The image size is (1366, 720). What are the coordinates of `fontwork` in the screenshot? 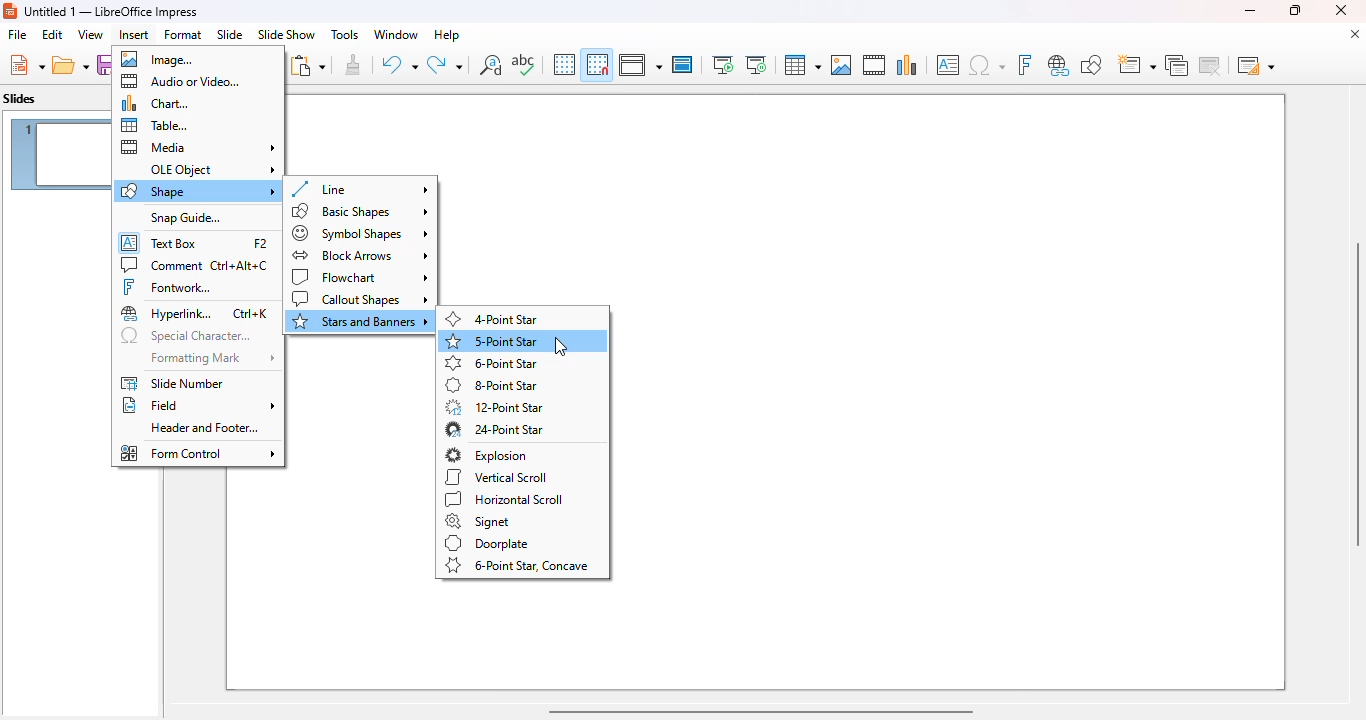 It's located at (167, 287).